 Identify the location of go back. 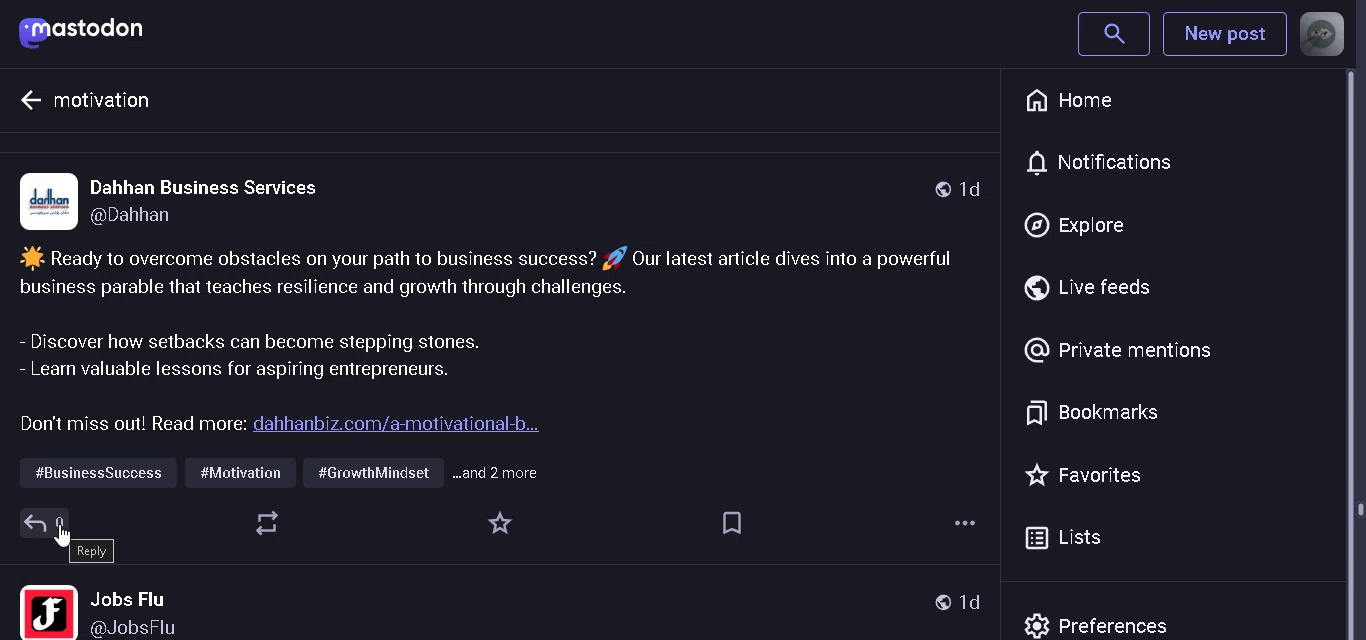
(28, 103).